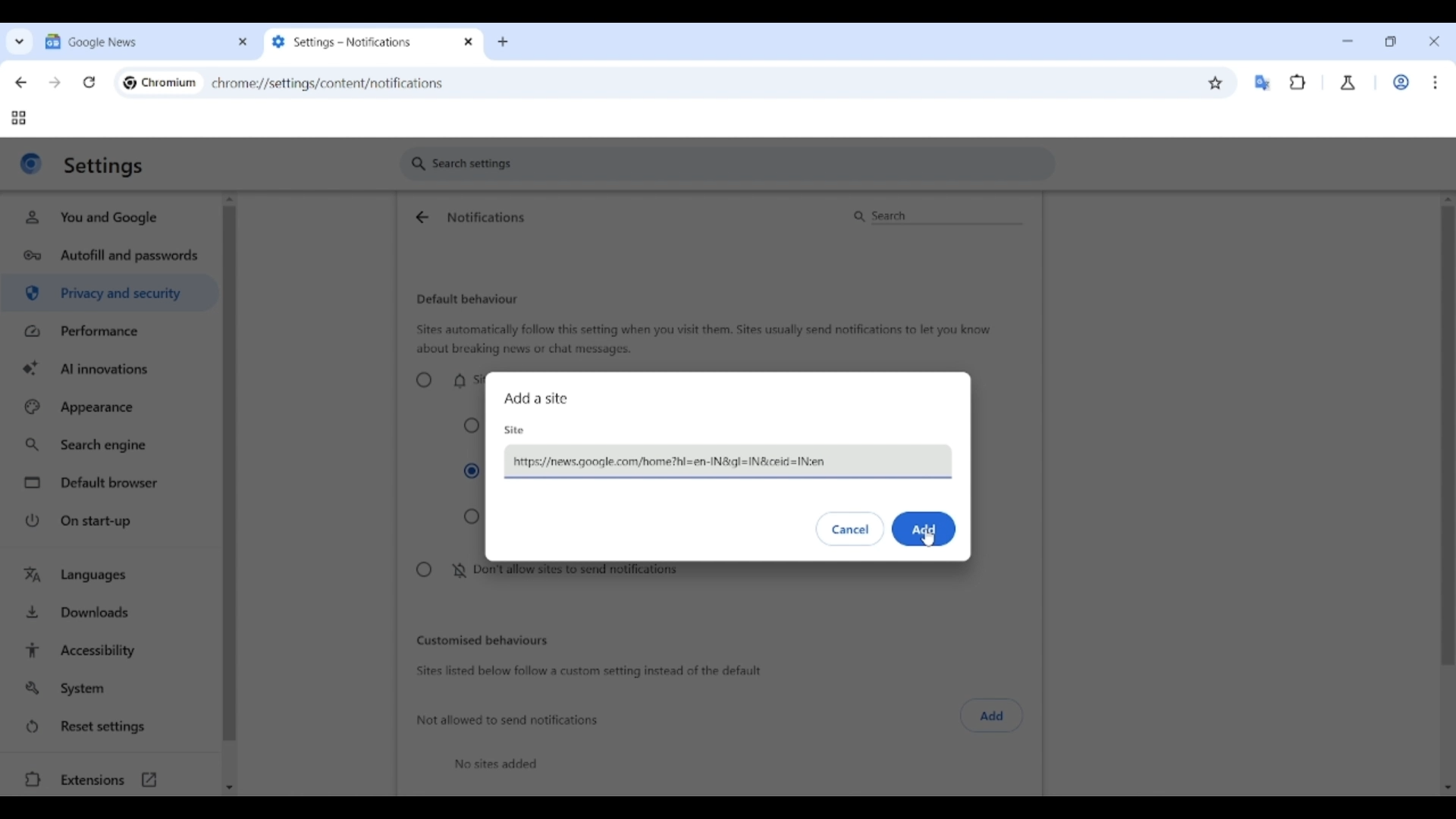 This screenshot has width=1456, height=819. I want to click on Settings, so click(105, 166).